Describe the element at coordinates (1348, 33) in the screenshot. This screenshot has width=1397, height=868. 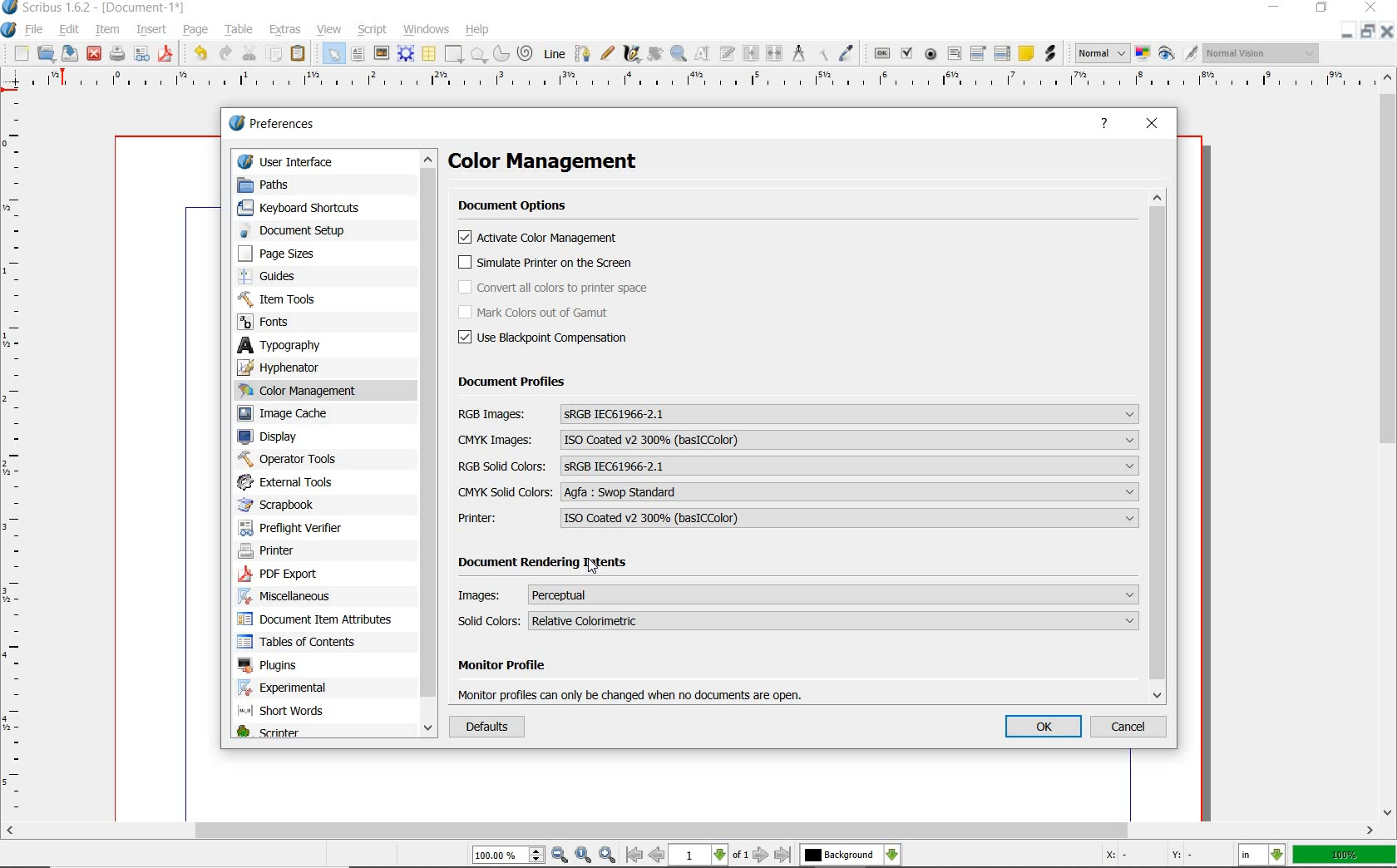
I see `minimize` at that location.